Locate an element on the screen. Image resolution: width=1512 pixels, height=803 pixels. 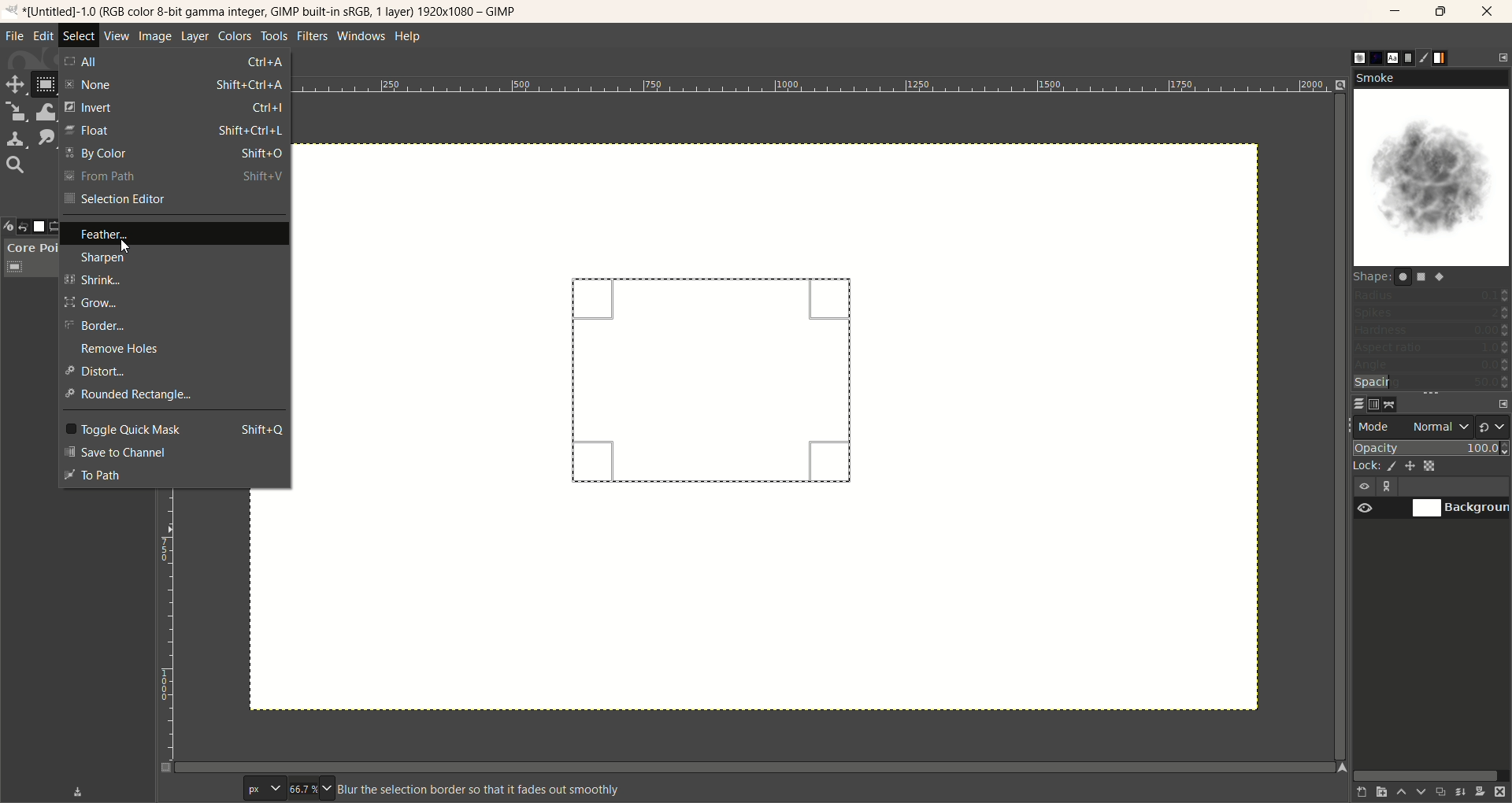
aspect ratio is located at coordinates (1432, 349).